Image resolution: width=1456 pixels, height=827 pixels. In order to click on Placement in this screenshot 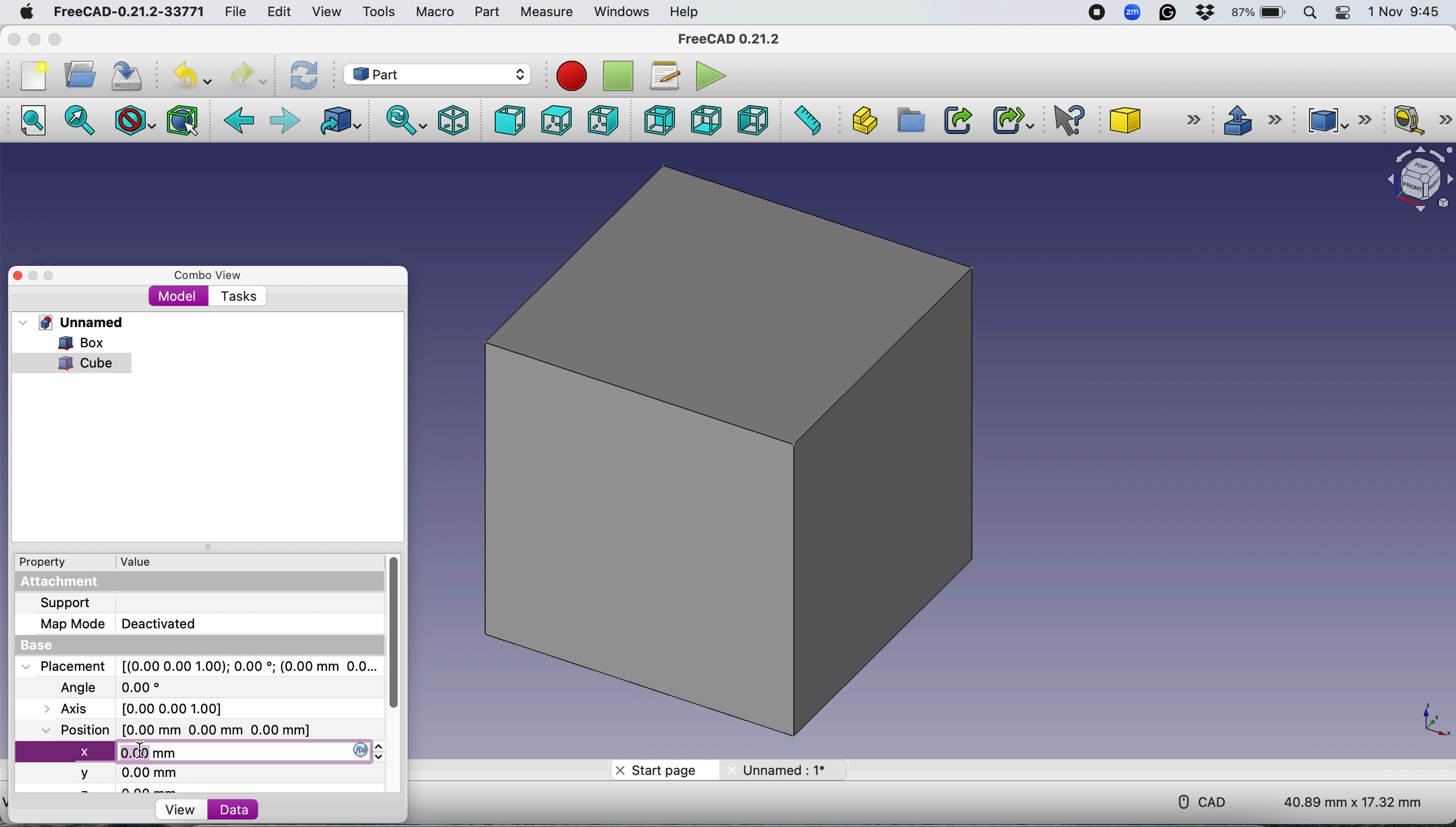, I will do `click(202, 666)`.